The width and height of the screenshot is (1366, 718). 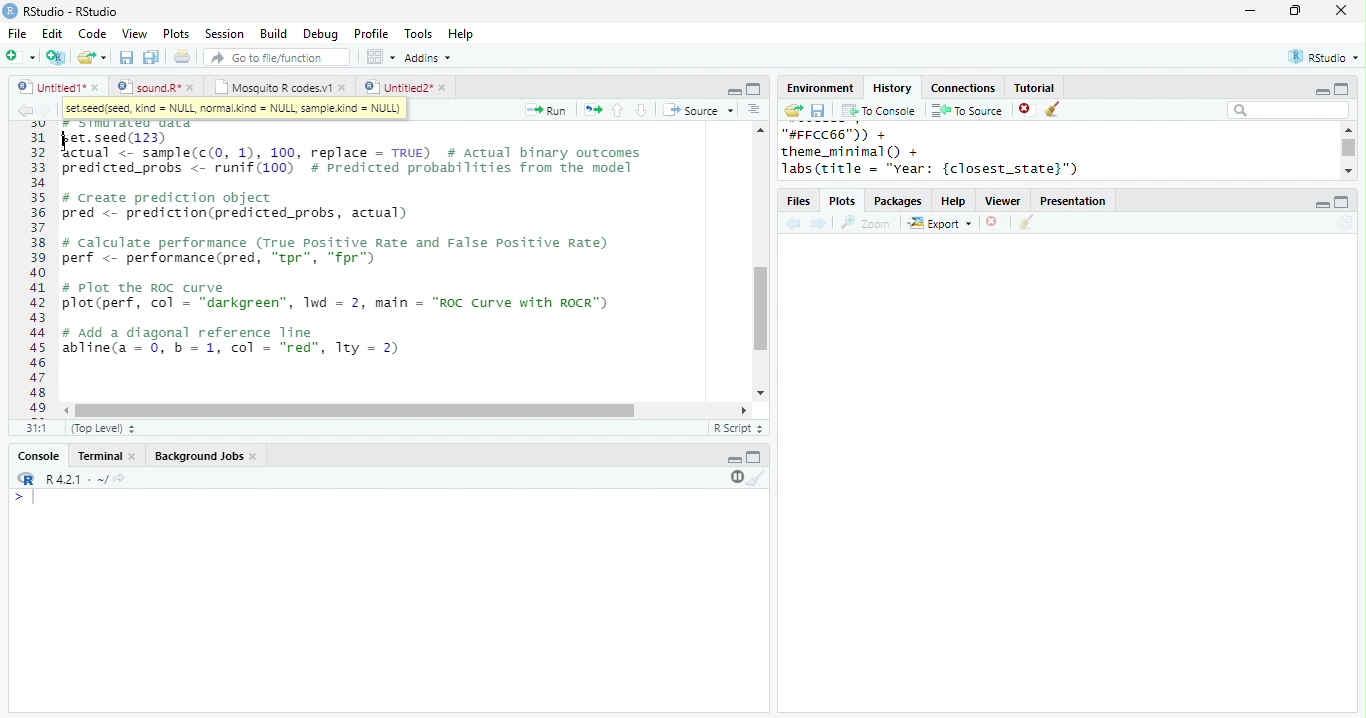 I want to click on scroll down, so click(x=1348, y=170).